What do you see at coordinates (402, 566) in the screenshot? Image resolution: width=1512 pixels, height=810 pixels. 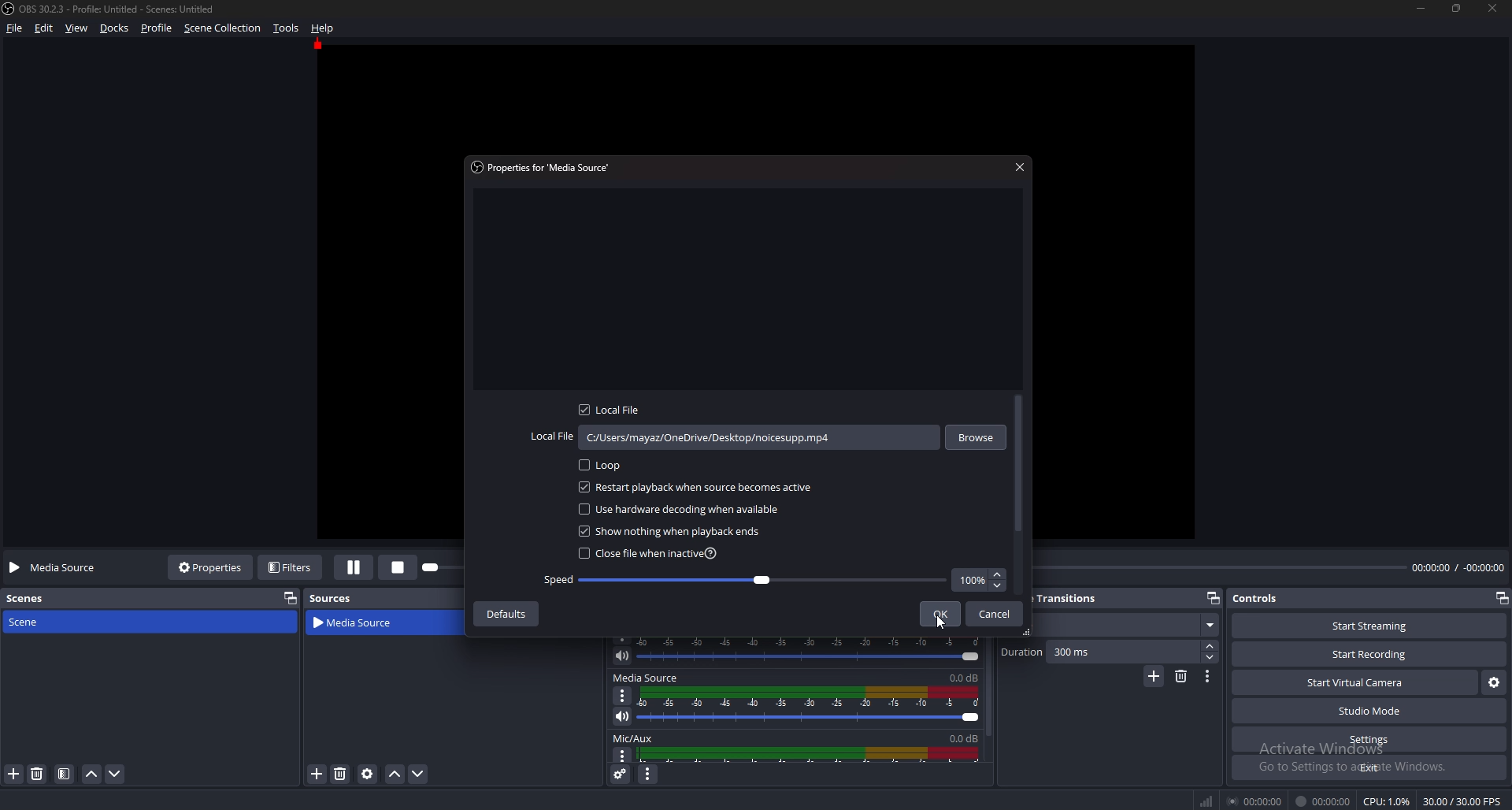 I see `stop` at bounding box center [402, 566].